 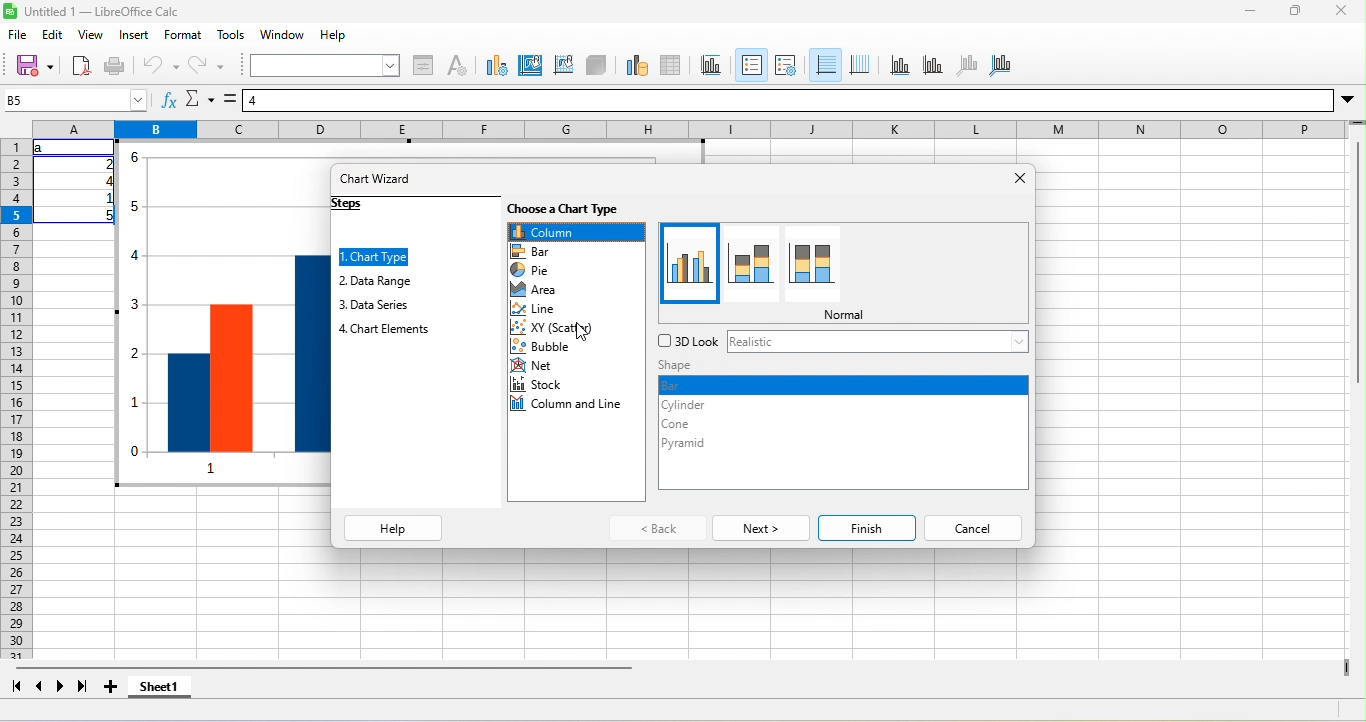 What do you see at coordinates (576, 289) in the screenshot?
I see `area` at bounding box center [576, 289].